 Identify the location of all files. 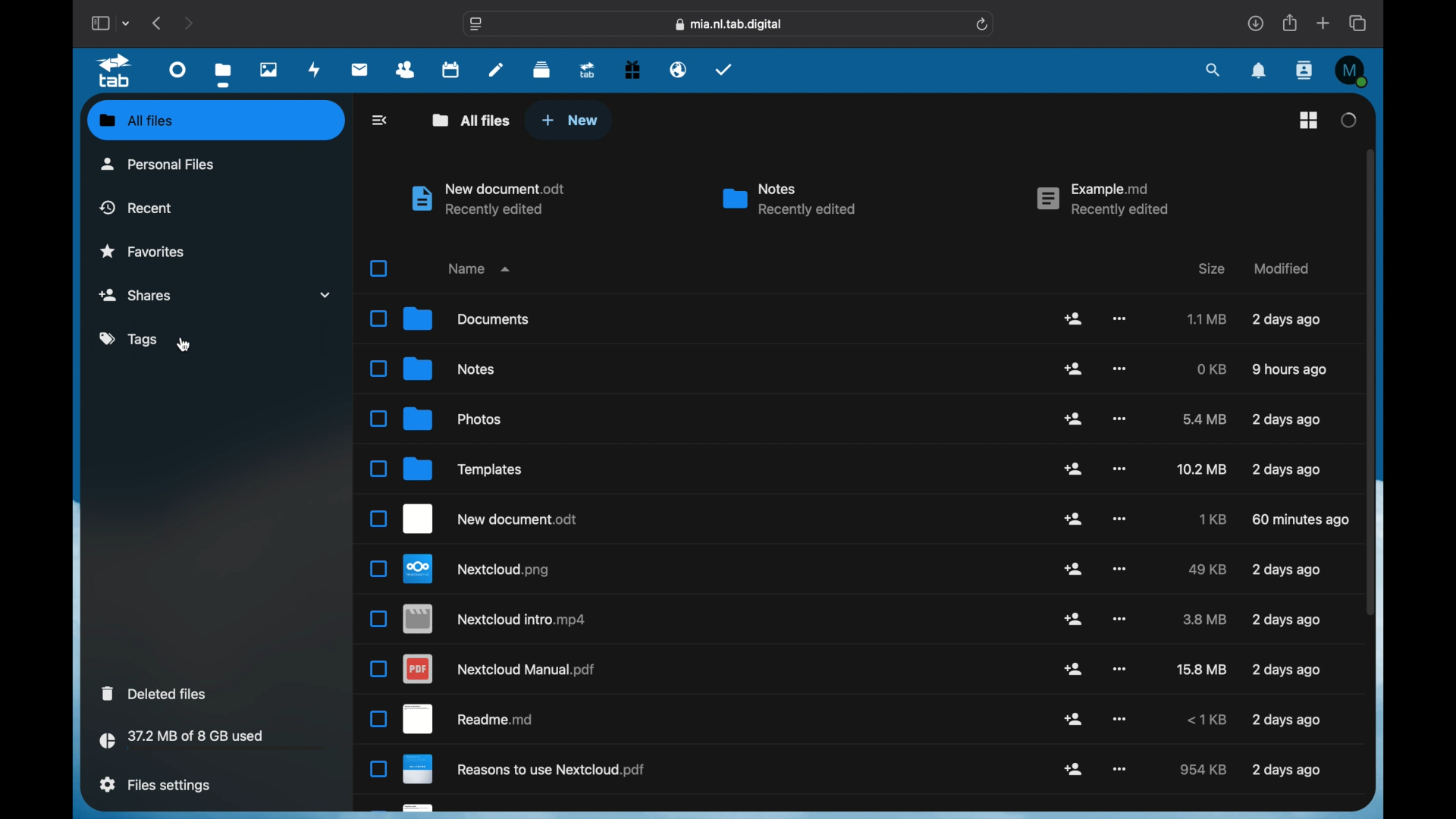
(137, 121).